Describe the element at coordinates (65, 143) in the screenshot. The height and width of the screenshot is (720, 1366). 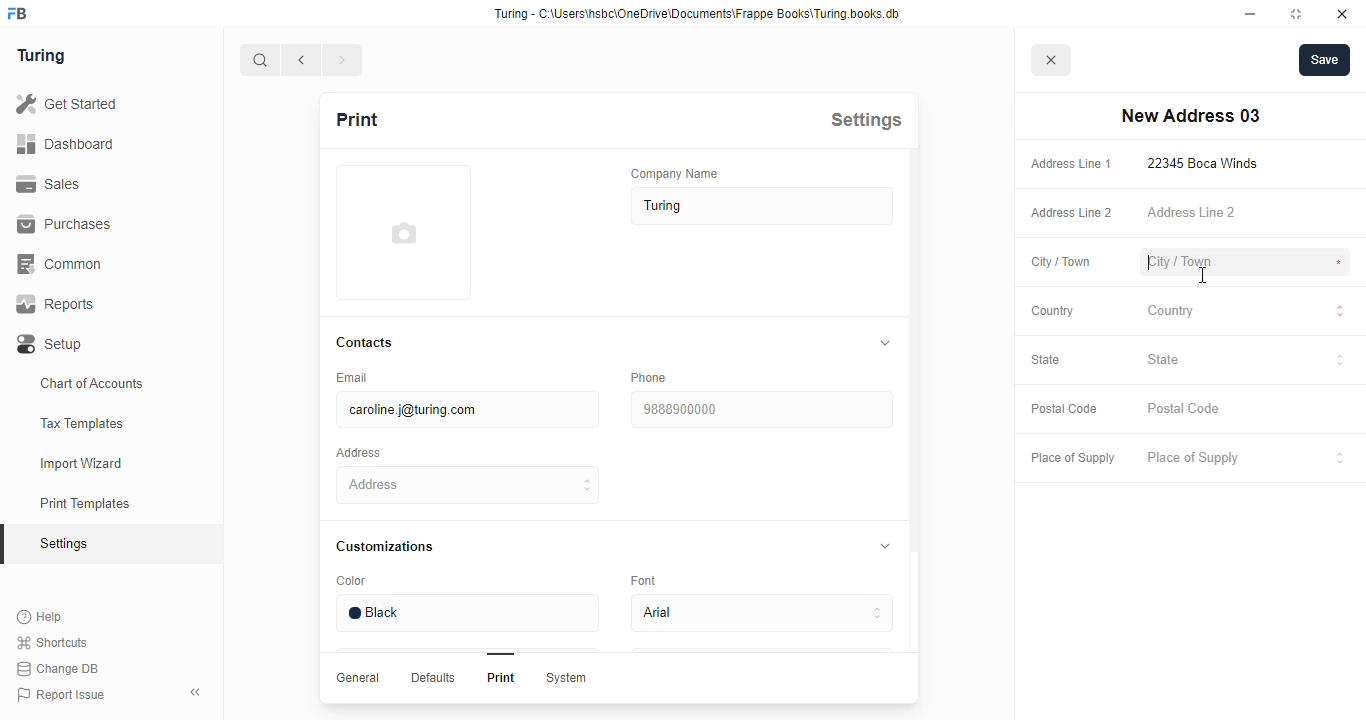
I see `dashboard` at that location.